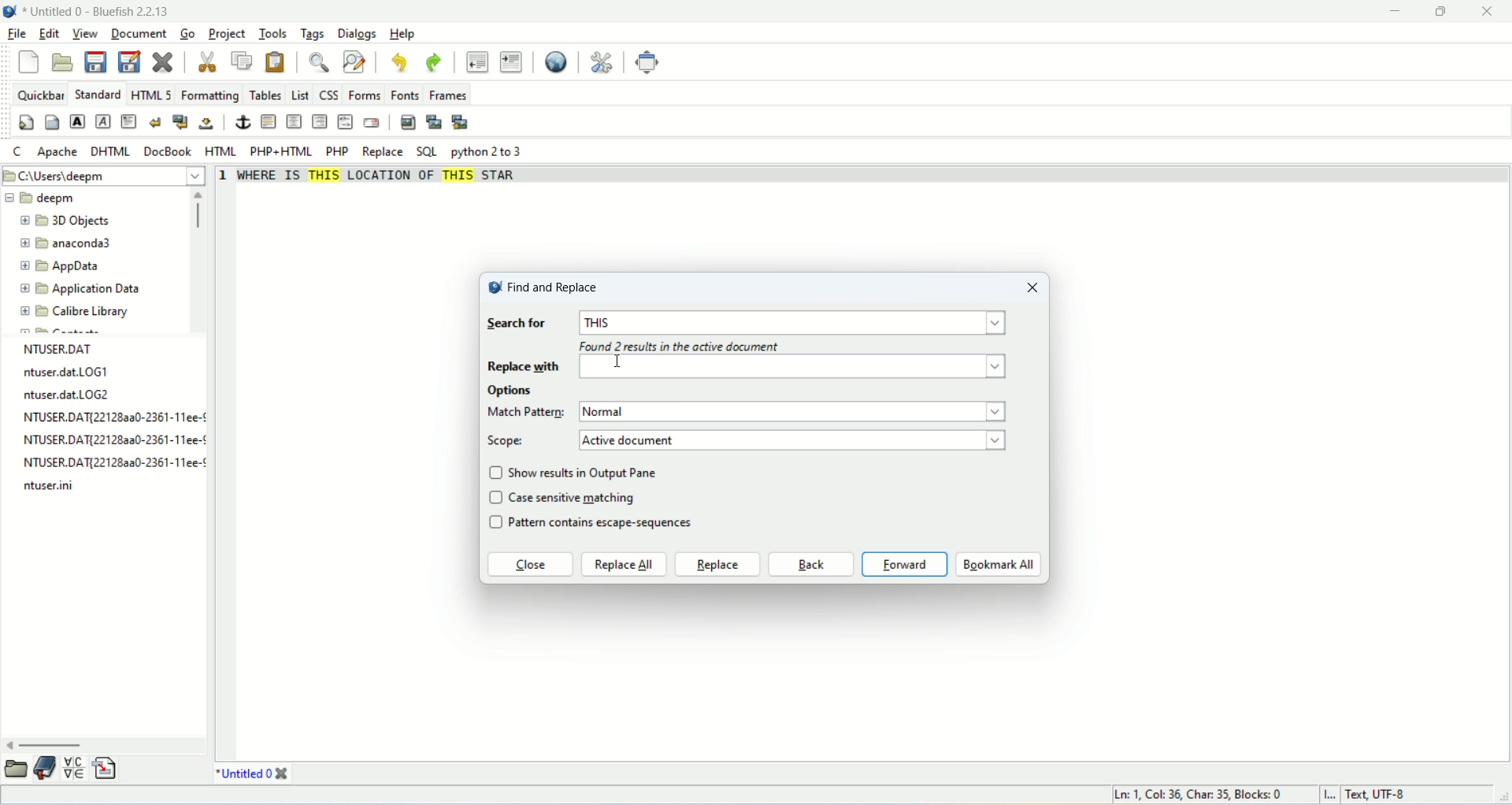  What do you see at coordinates (282, 773) in the screenshot?
I see `close` at bounding box center [282, 773].